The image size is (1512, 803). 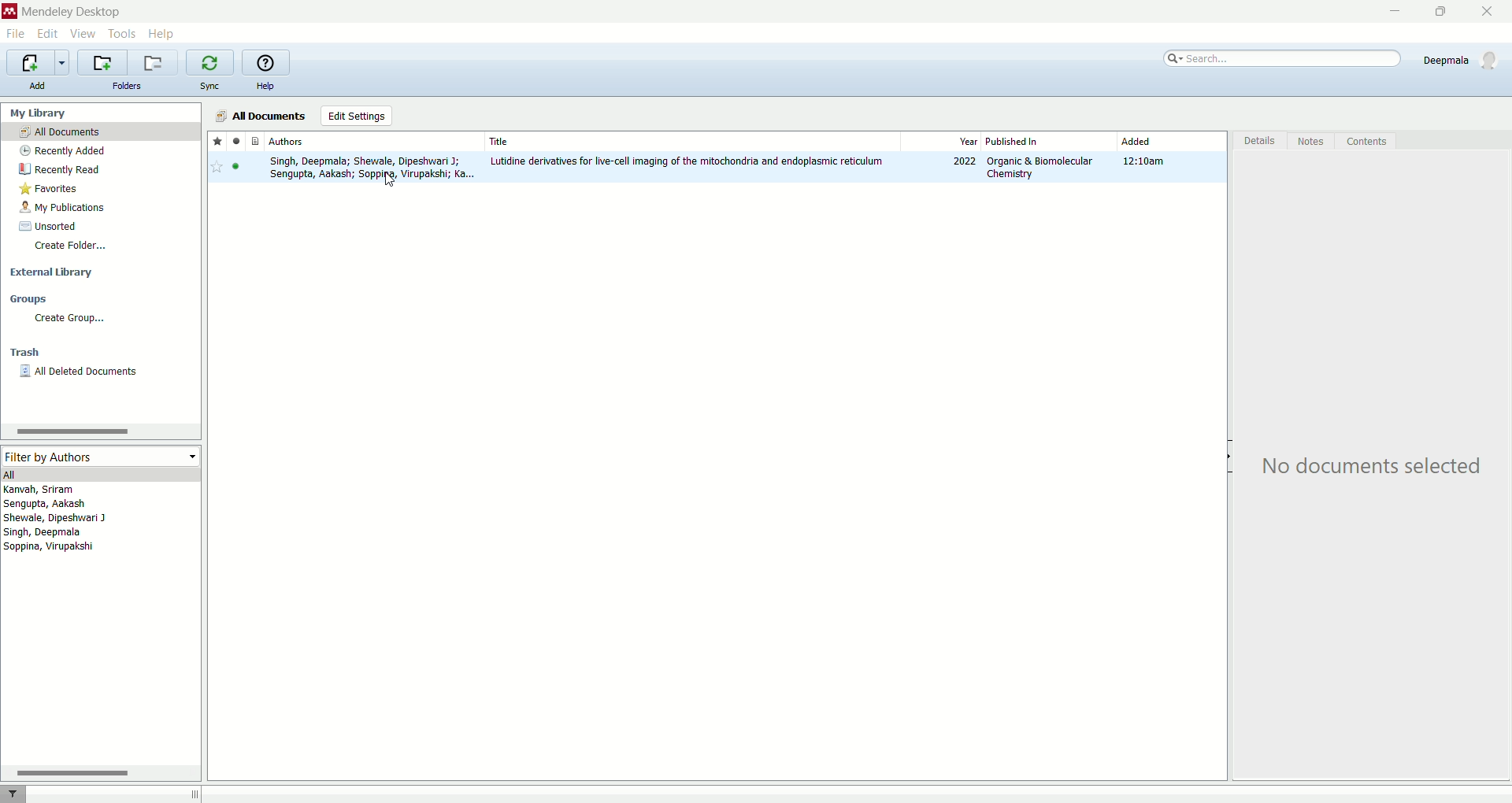 What do you see at coordinates (97, 187) in the screenshot?
I see `favorites` at bounding box center [97, 187].